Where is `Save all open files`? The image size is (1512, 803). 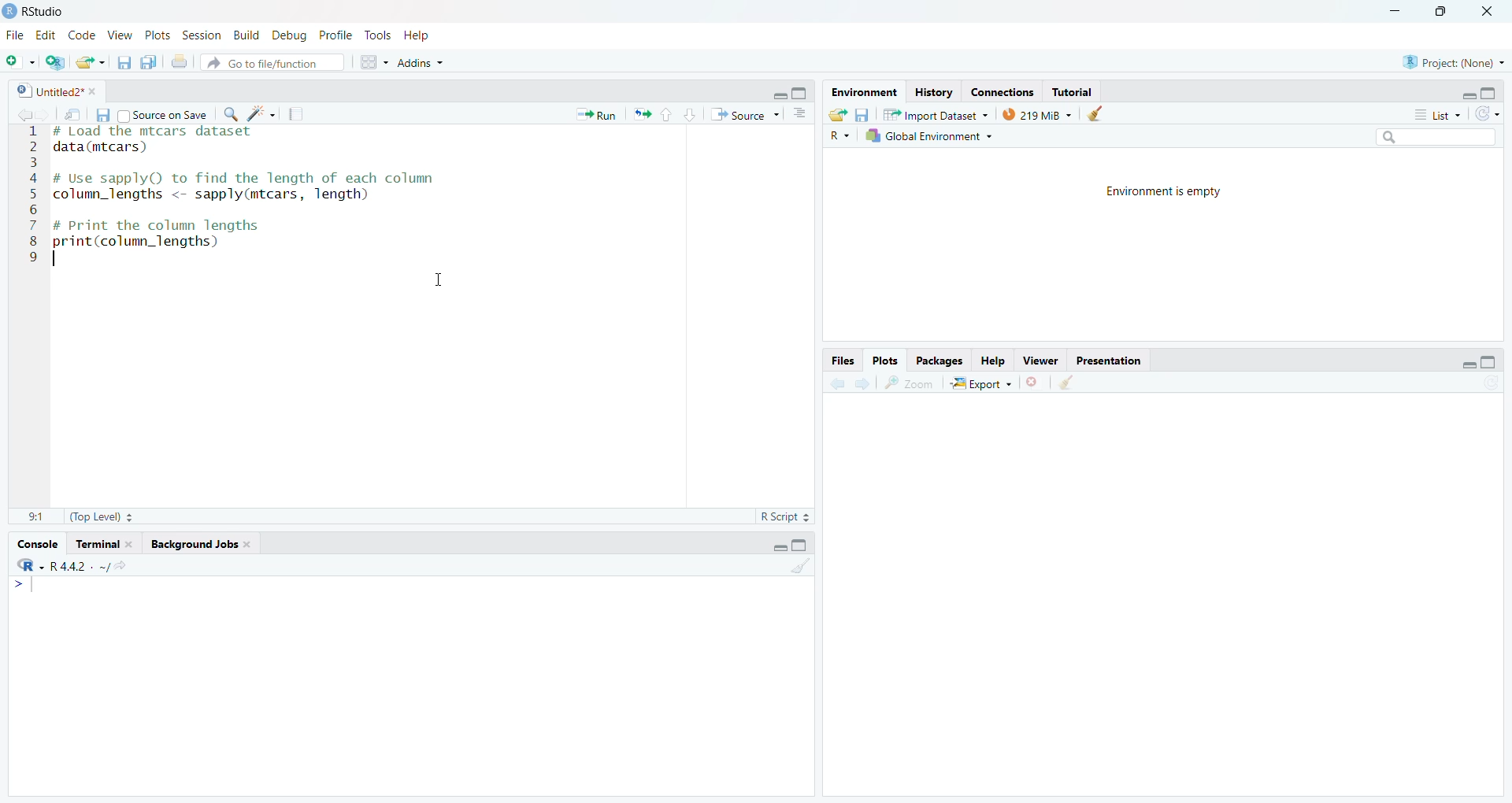
Save all open files is located at coordinates (149, 61).